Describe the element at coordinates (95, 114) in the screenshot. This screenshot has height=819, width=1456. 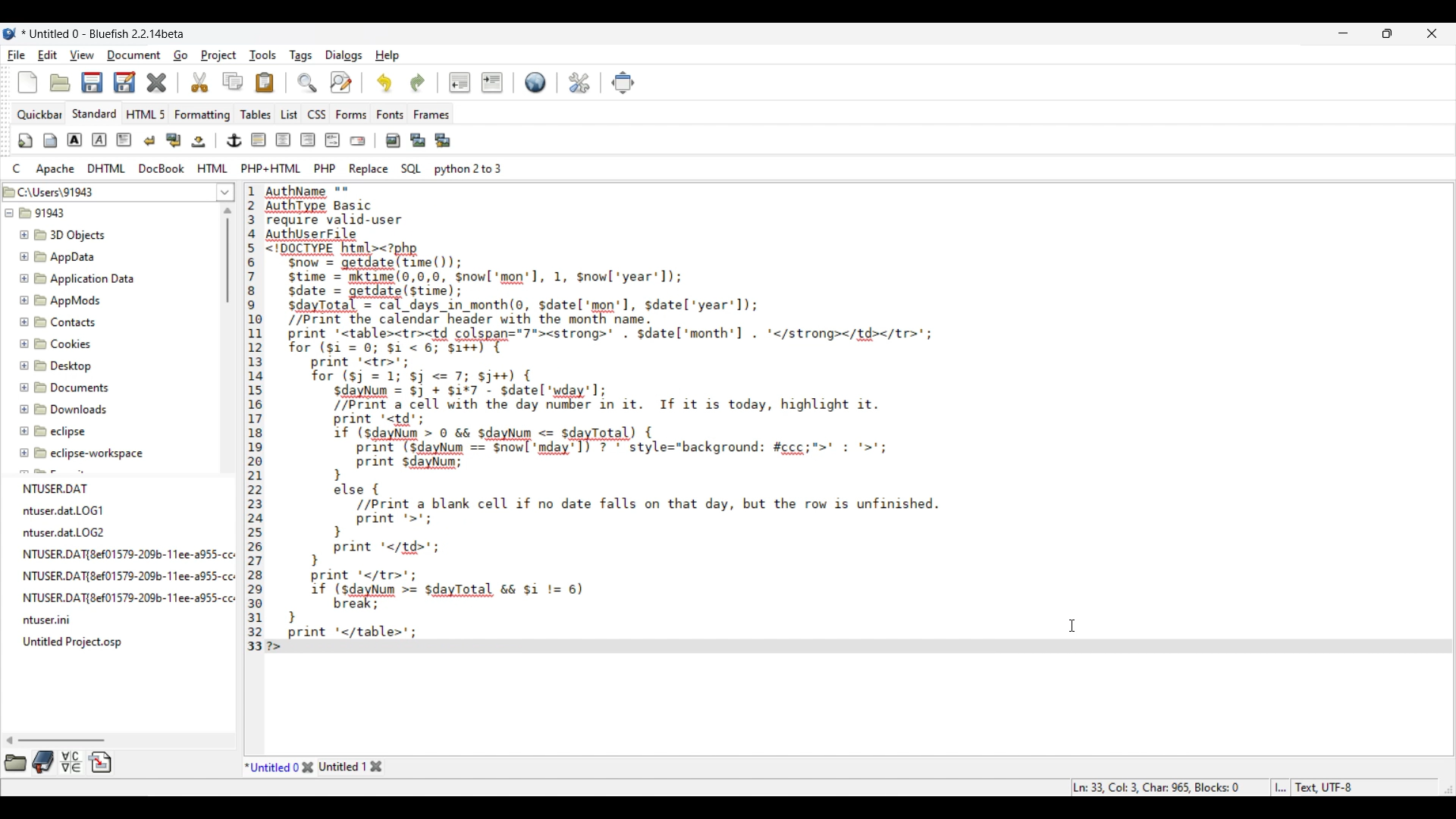
I see `Standard` at that location.